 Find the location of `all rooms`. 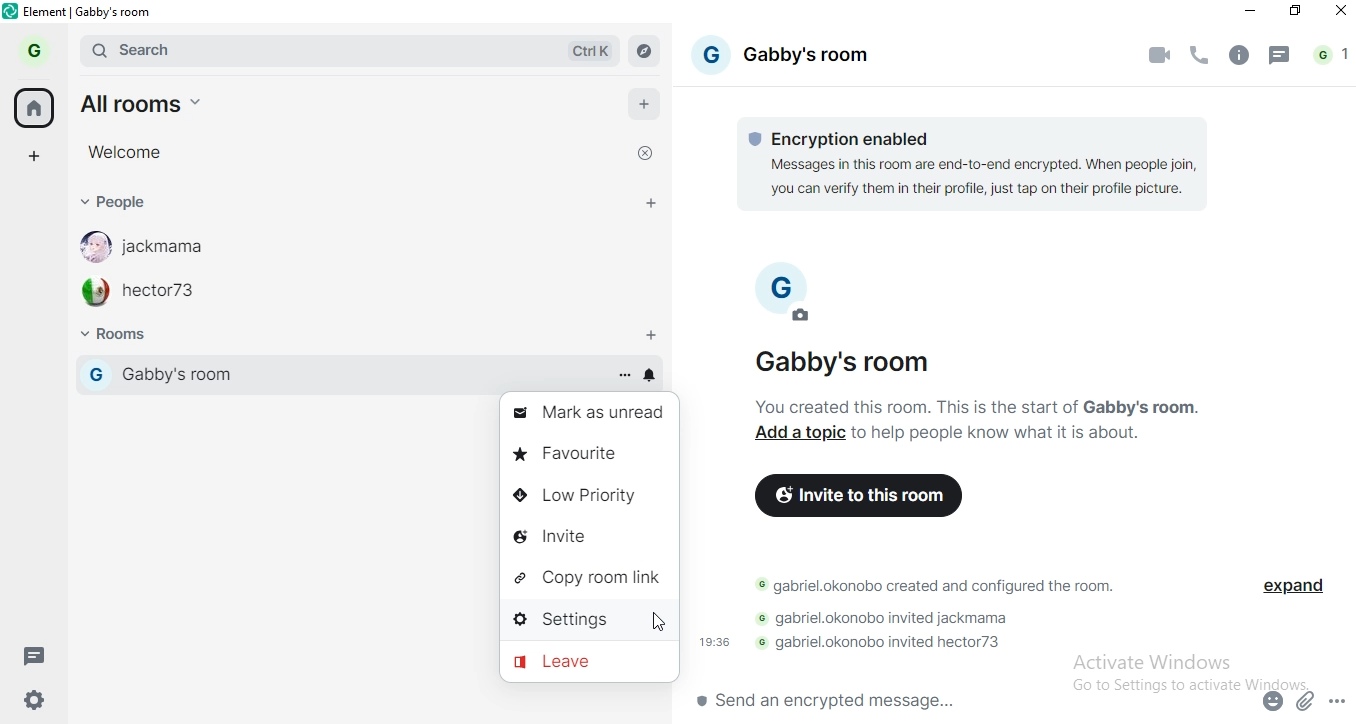

all rooms is located at coordinates (138, 101).